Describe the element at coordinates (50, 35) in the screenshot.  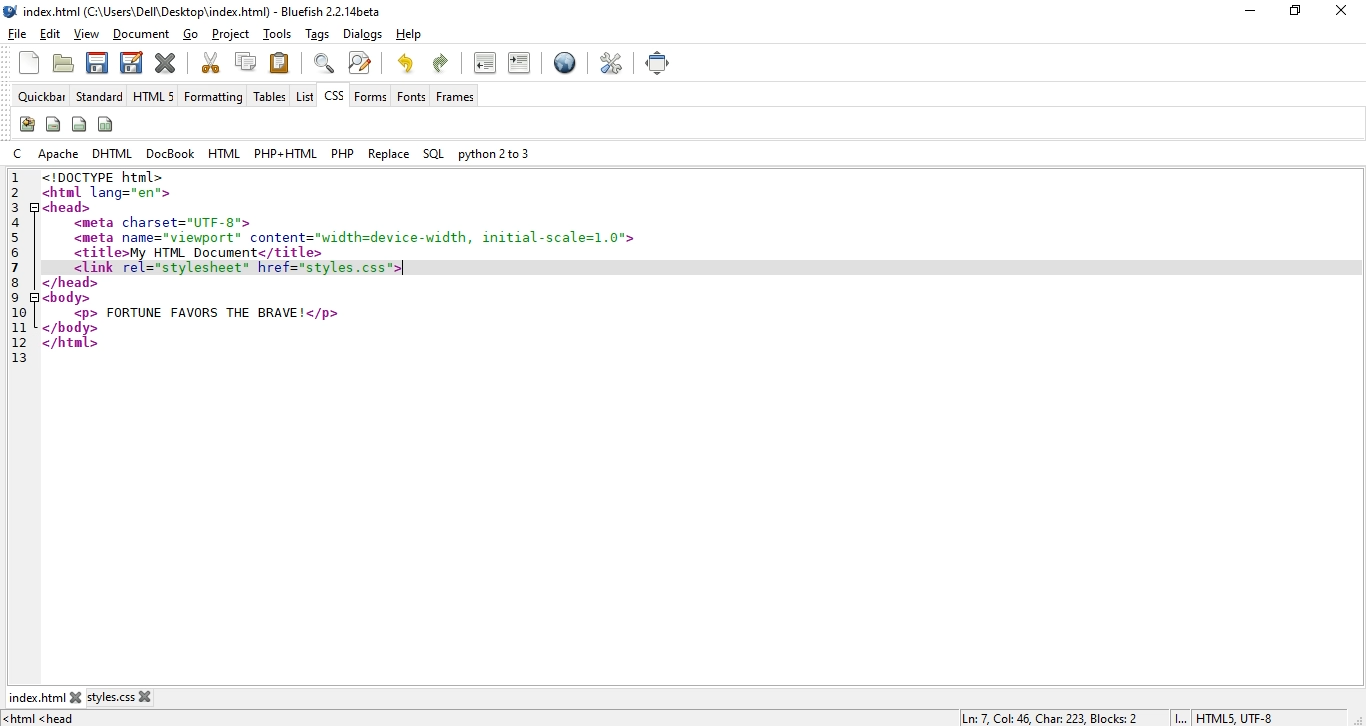
I see `edit` at that location.